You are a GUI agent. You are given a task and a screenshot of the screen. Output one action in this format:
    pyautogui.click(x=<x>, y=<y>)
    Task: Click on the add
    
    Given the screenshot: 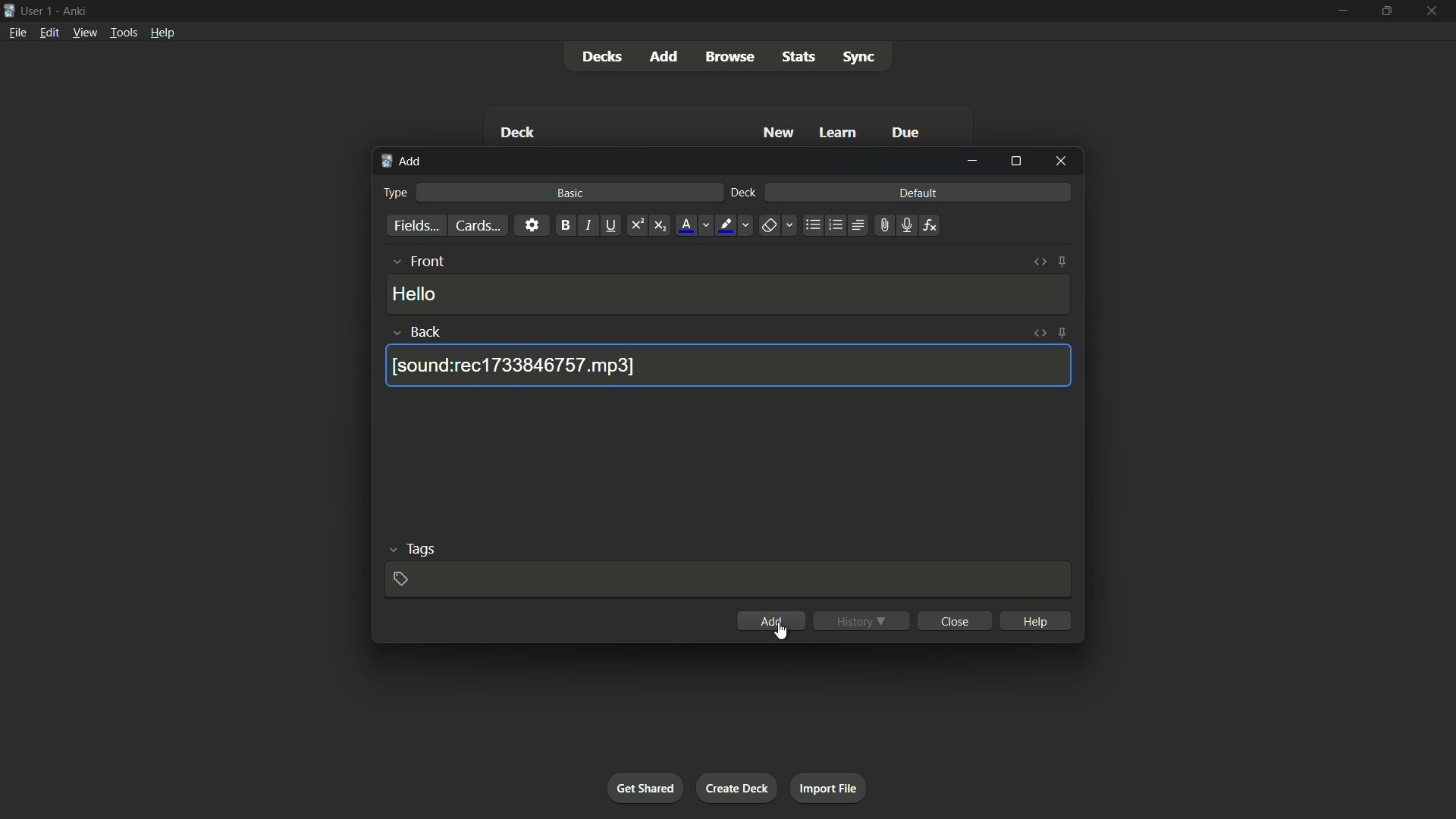 What is the action you would take?
    pyautogui.click(x=773, y=620)
    